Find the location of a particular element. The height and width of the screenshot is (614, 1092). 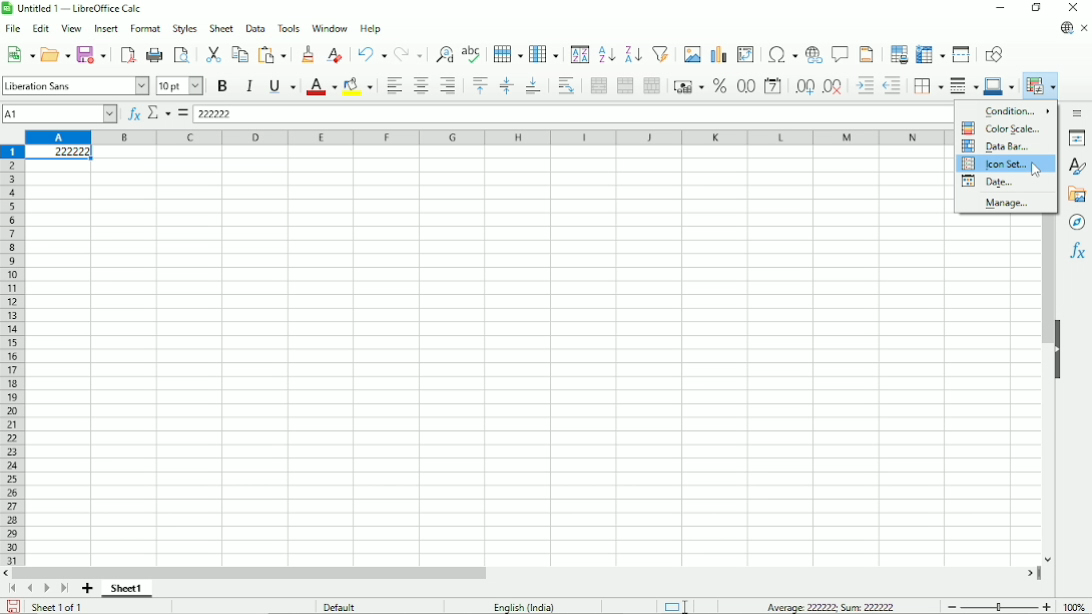

Properties is located at coordinates (1077, 139).